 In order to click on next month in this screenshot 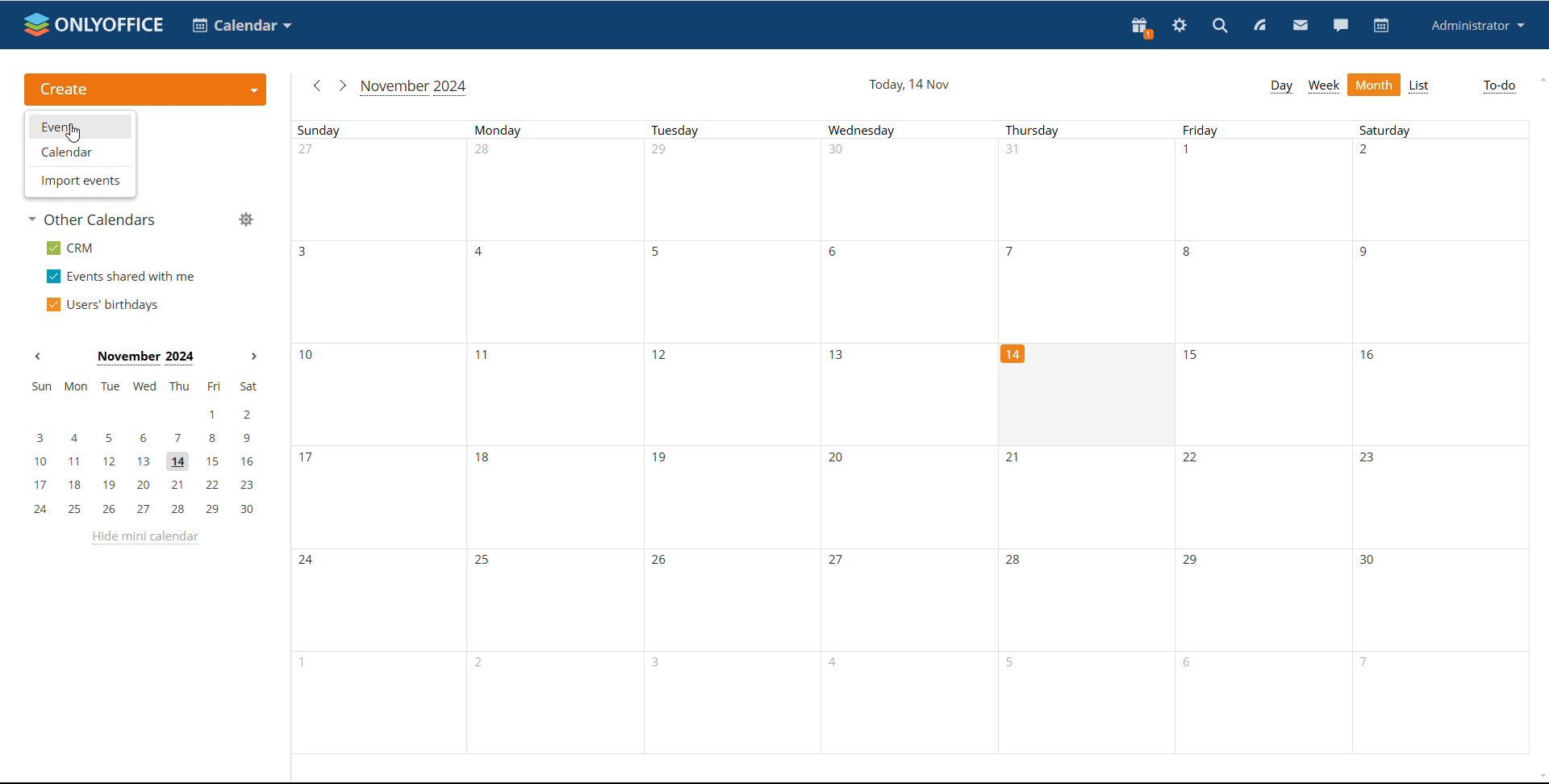, I will do `click(254, 357)`.